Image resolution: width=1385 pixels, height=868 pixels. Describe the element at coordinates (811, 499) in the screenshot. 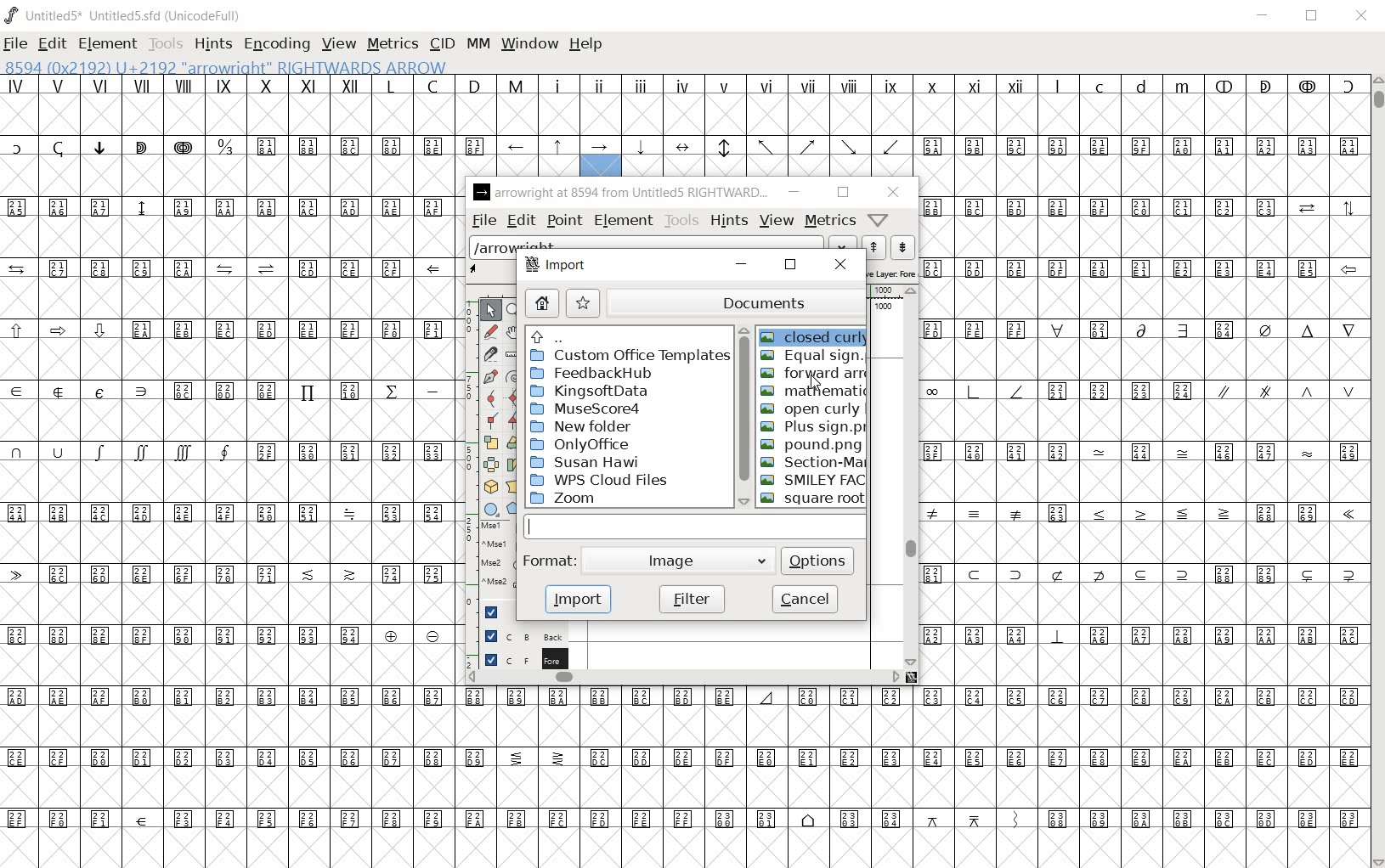

I see `square root` at that location.